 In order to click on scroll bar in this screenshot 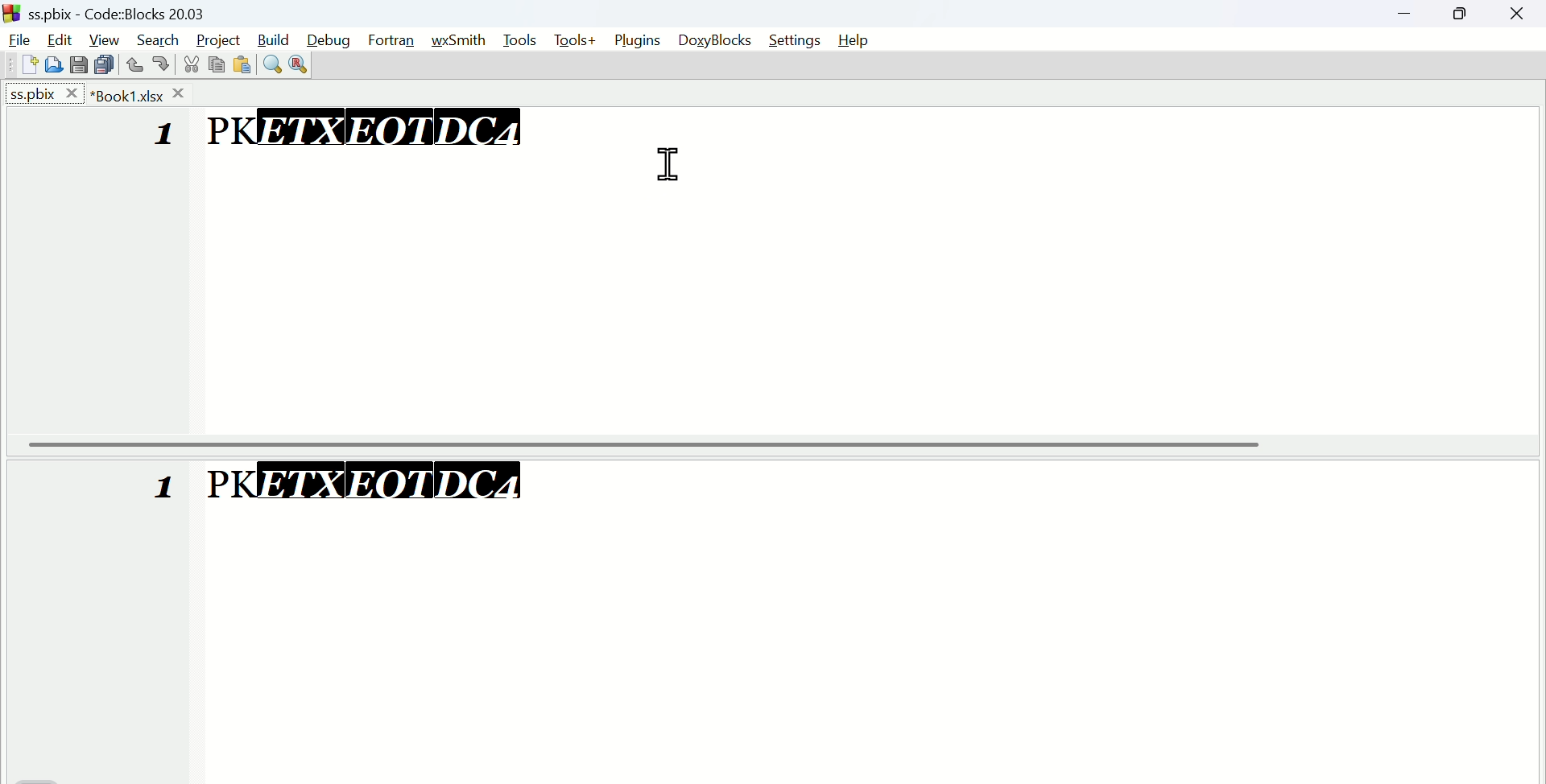, I will do `click(774, 444)`.